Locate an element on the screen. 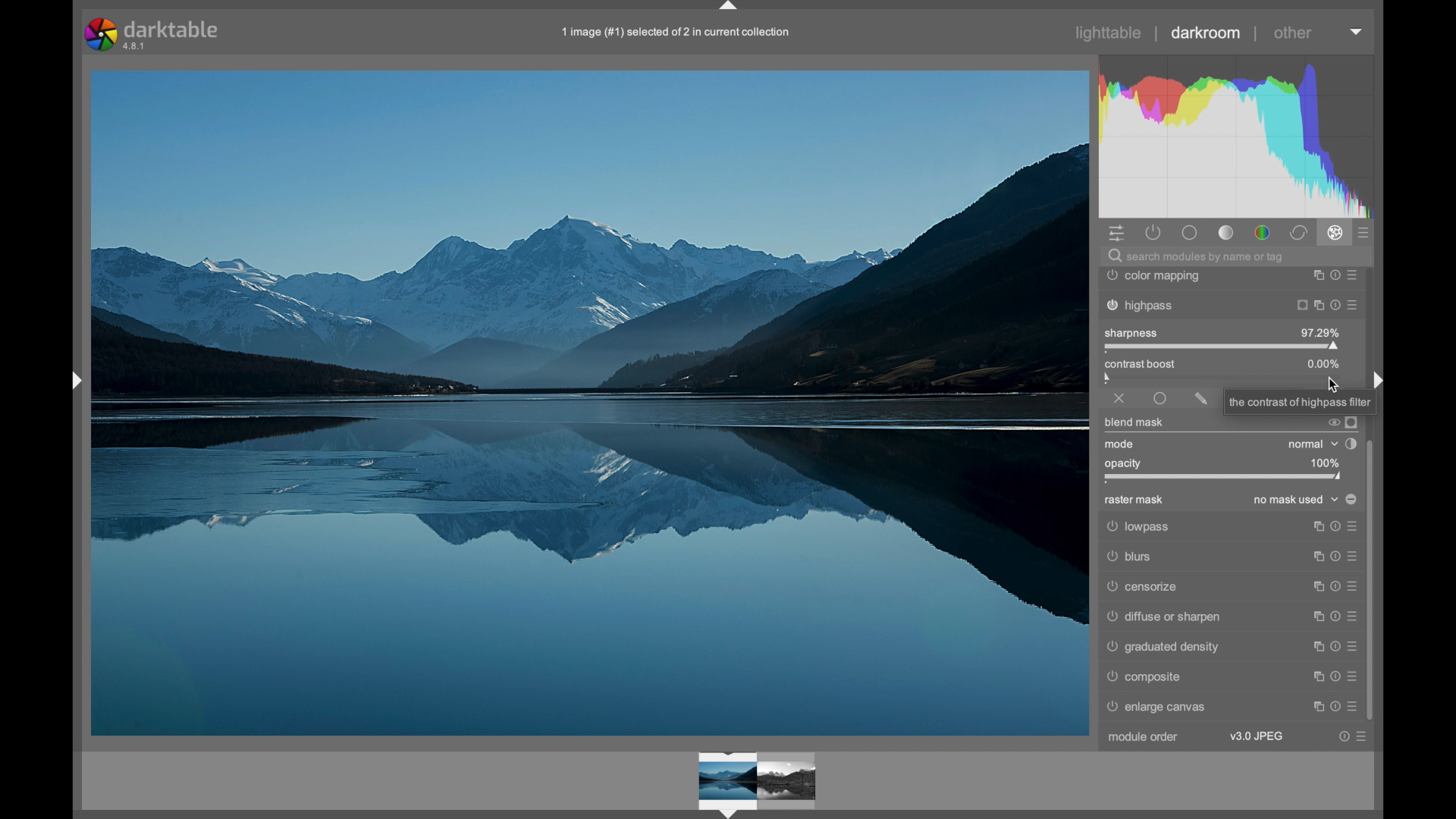 The height and width of the screenshot is (819, 1456).  is located at coordinates (1300, 402).